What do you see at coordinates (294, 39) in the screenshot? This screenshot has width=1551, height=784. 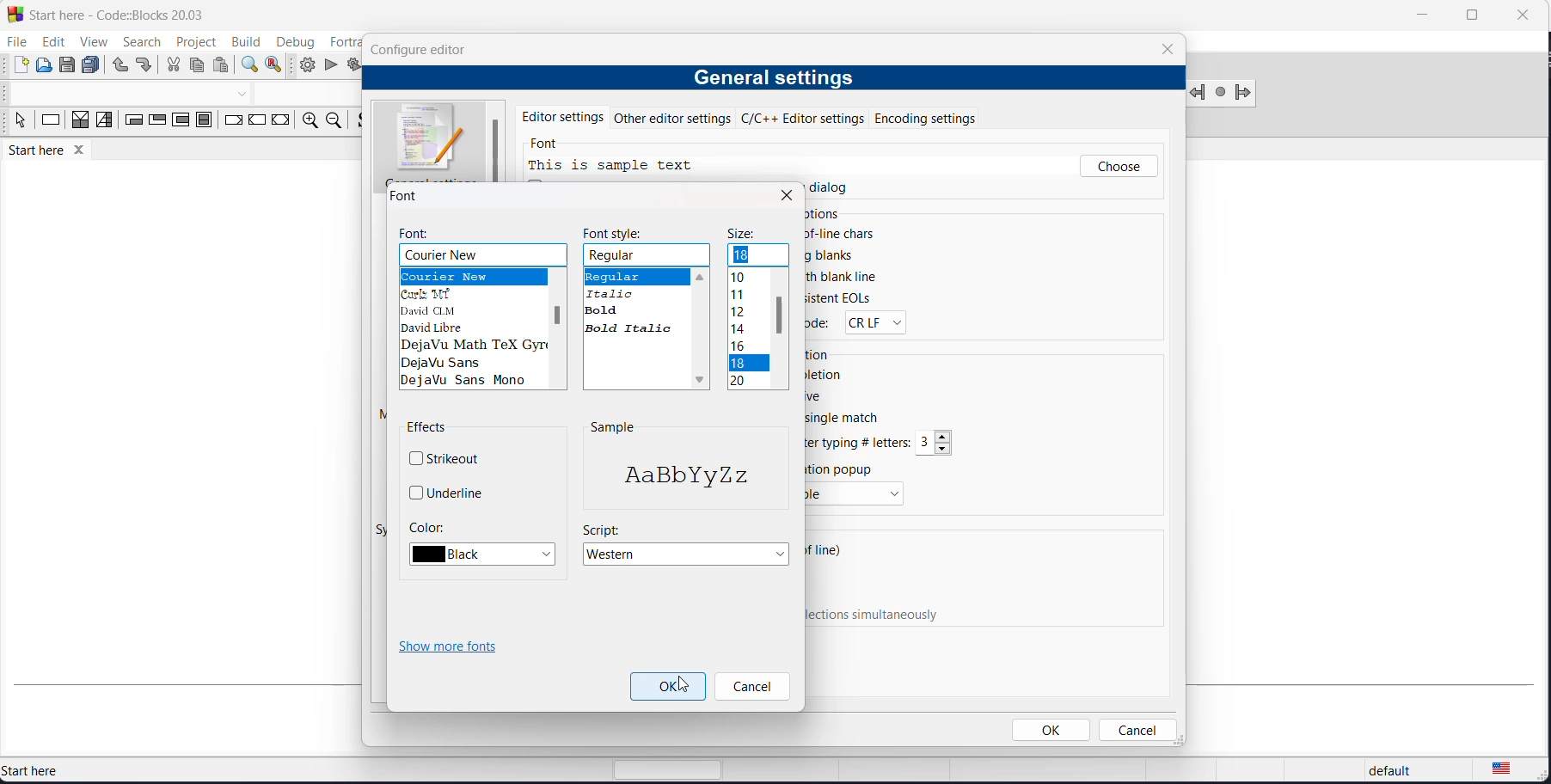 I see `debug` at bounding box center [294, 39].